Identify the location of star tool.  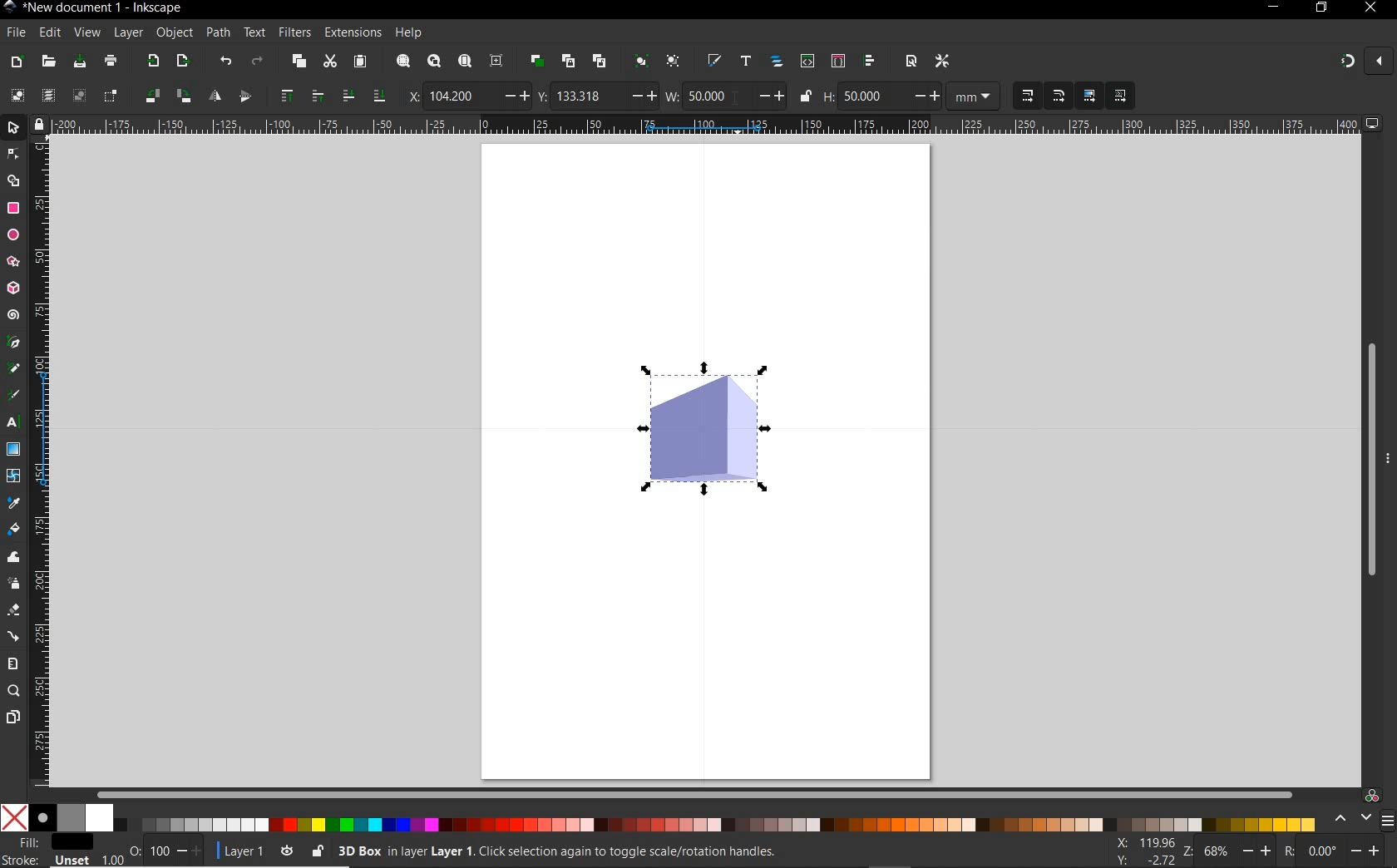
(13, 262).